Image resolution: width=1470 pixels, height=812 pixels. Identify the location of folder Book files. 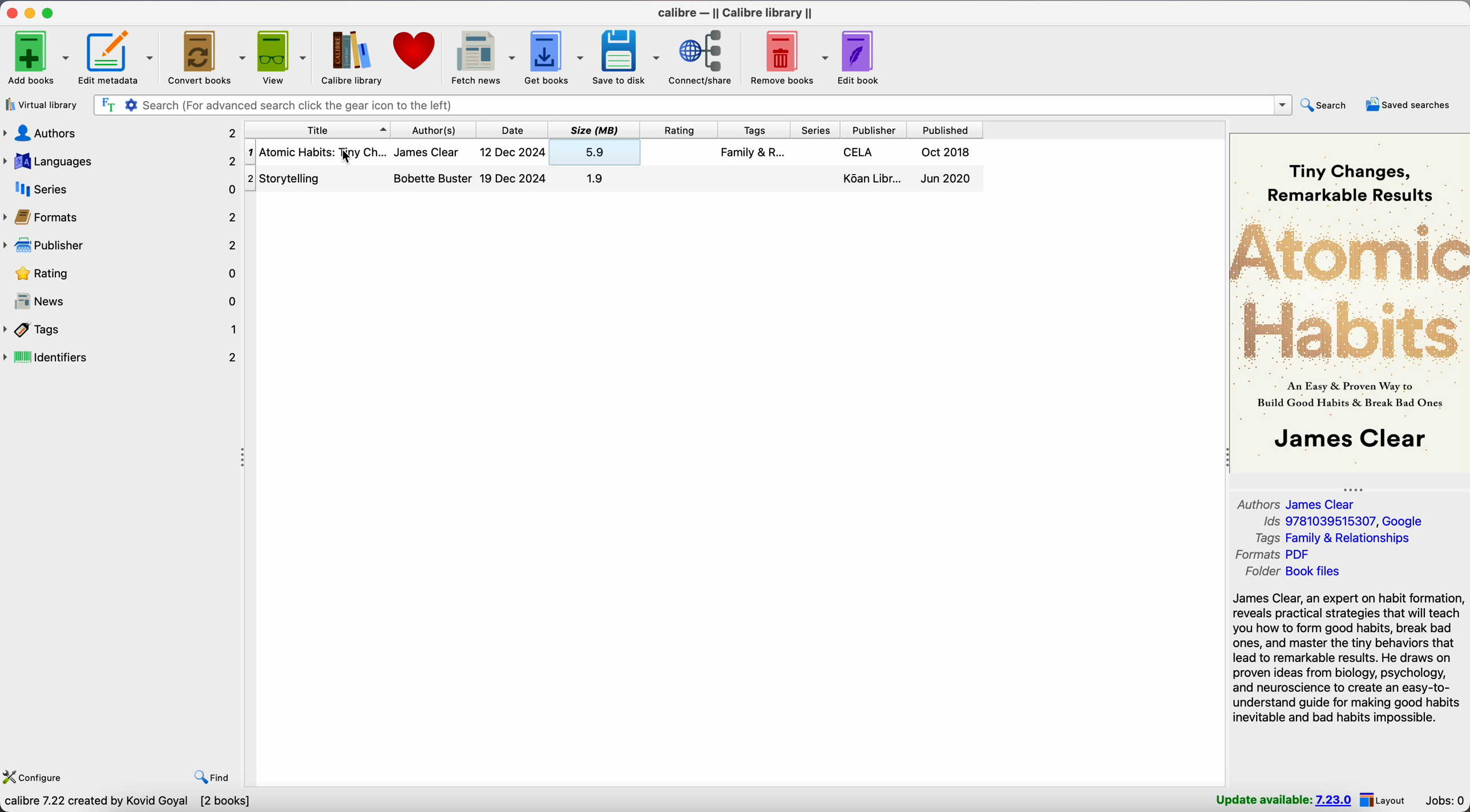
(1295, 572).